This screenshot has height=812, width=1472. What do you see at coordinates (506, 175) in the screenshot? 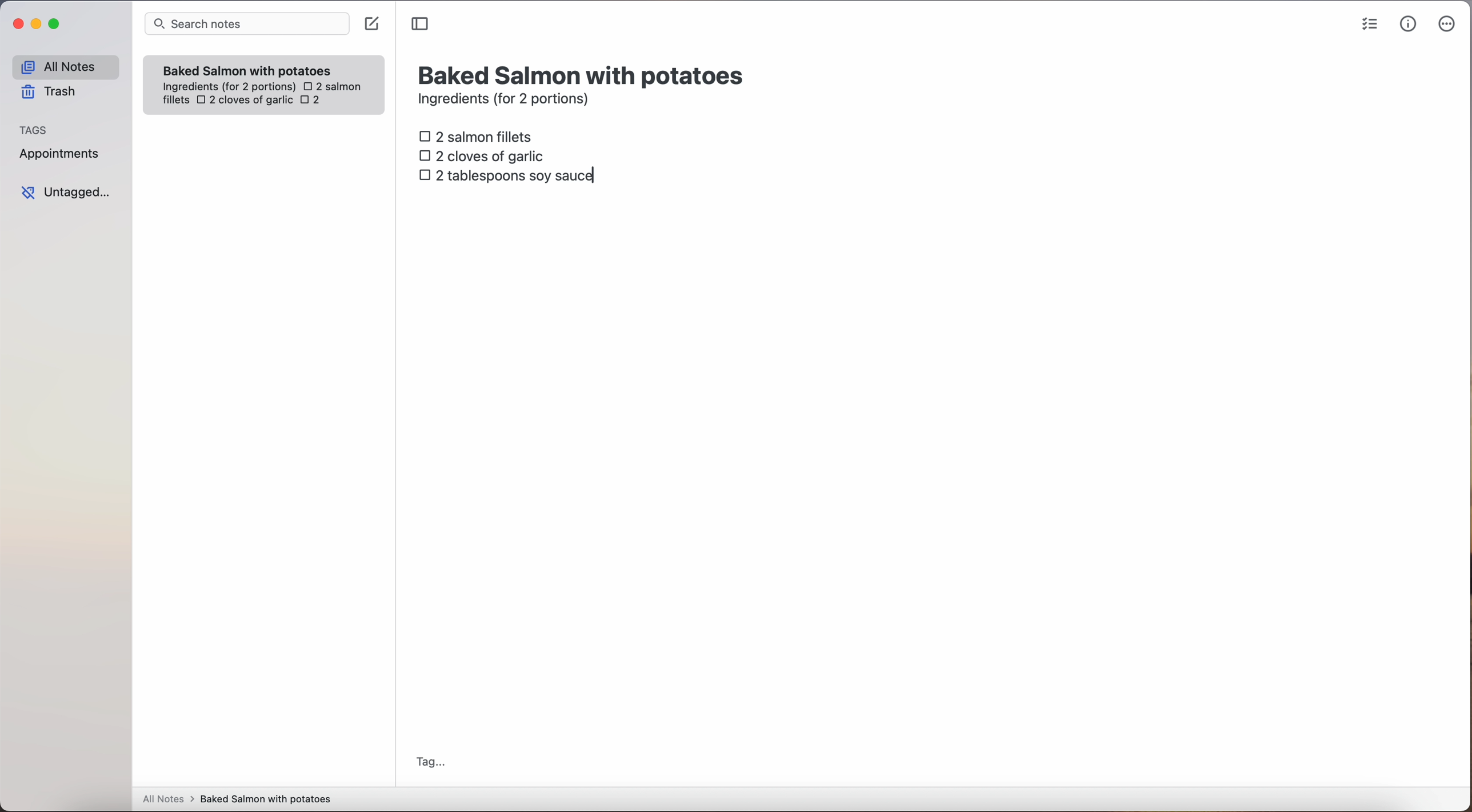
I see `2 tablespoons soy sauce` at bounding box center [506, 175].